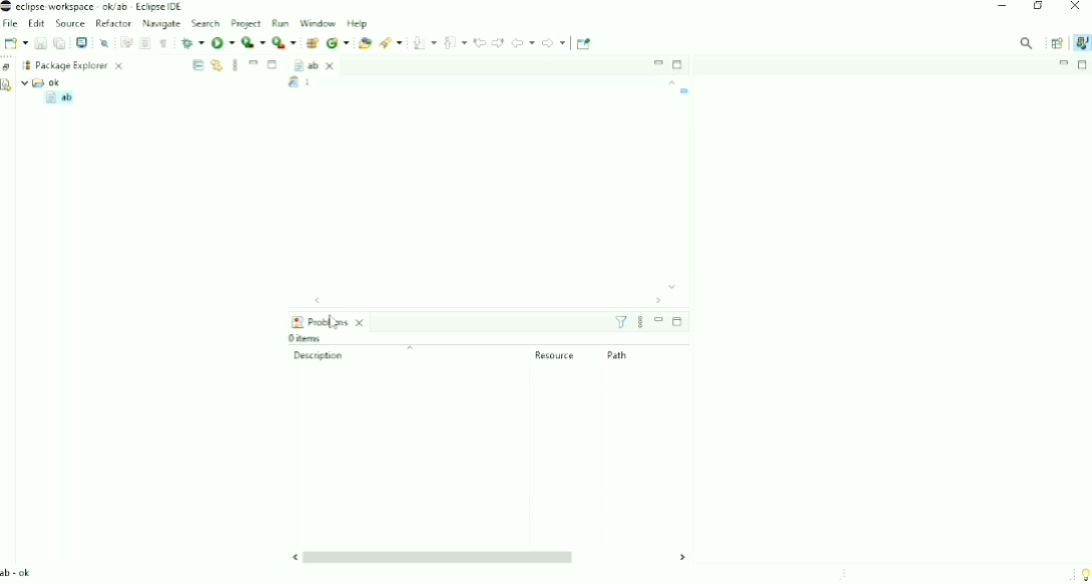 The image size is (1092, 584). Describe the element at coordinates (679, 65) in the screenshot. I see `Maximize` at that location.